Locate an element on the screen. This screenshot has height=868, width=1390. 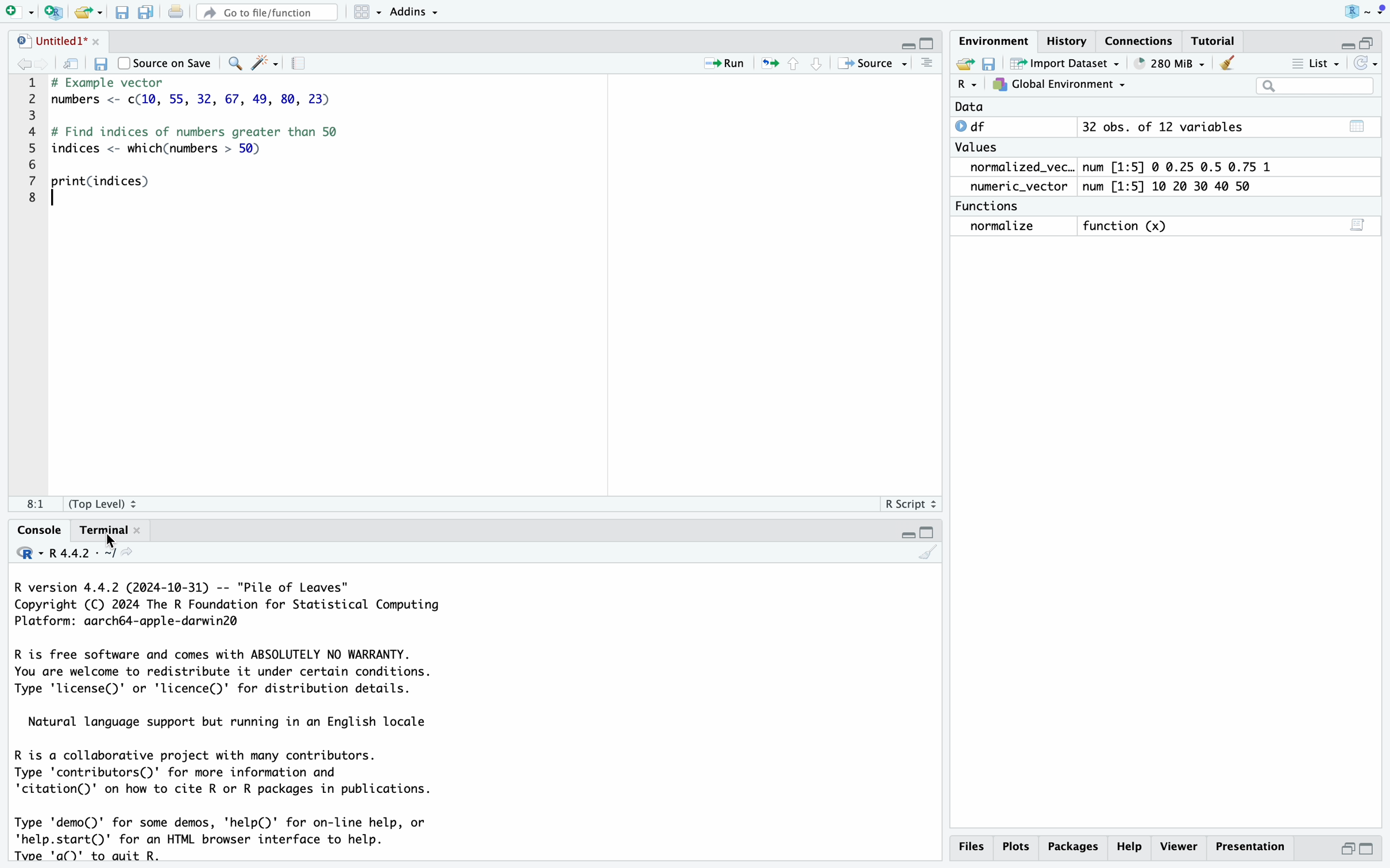
publish is located at coordinates (771, 64).